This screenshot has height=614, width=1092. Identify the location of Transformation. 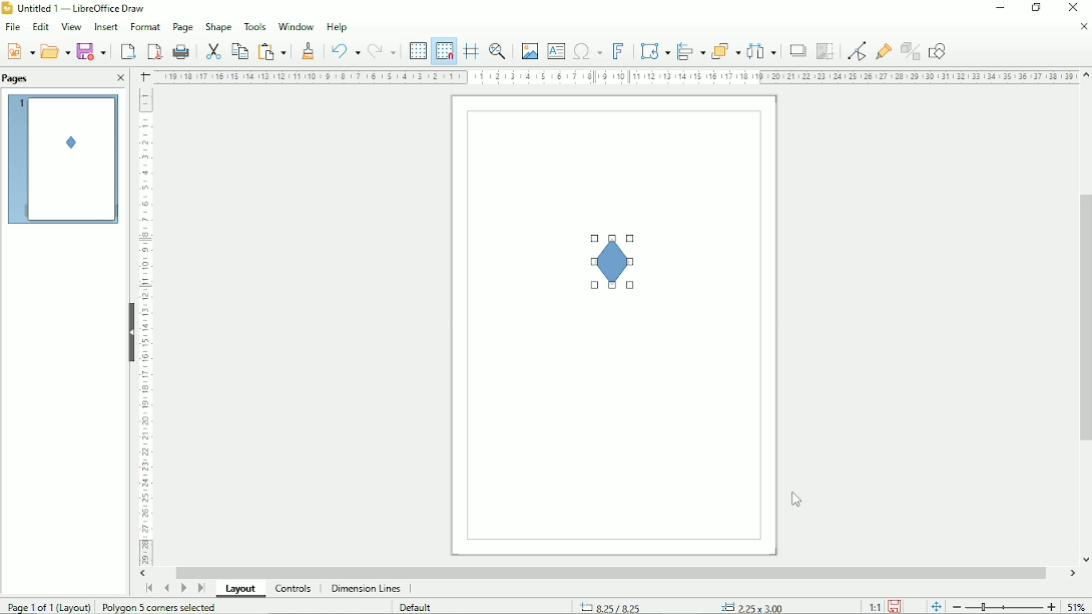
(652, 50).